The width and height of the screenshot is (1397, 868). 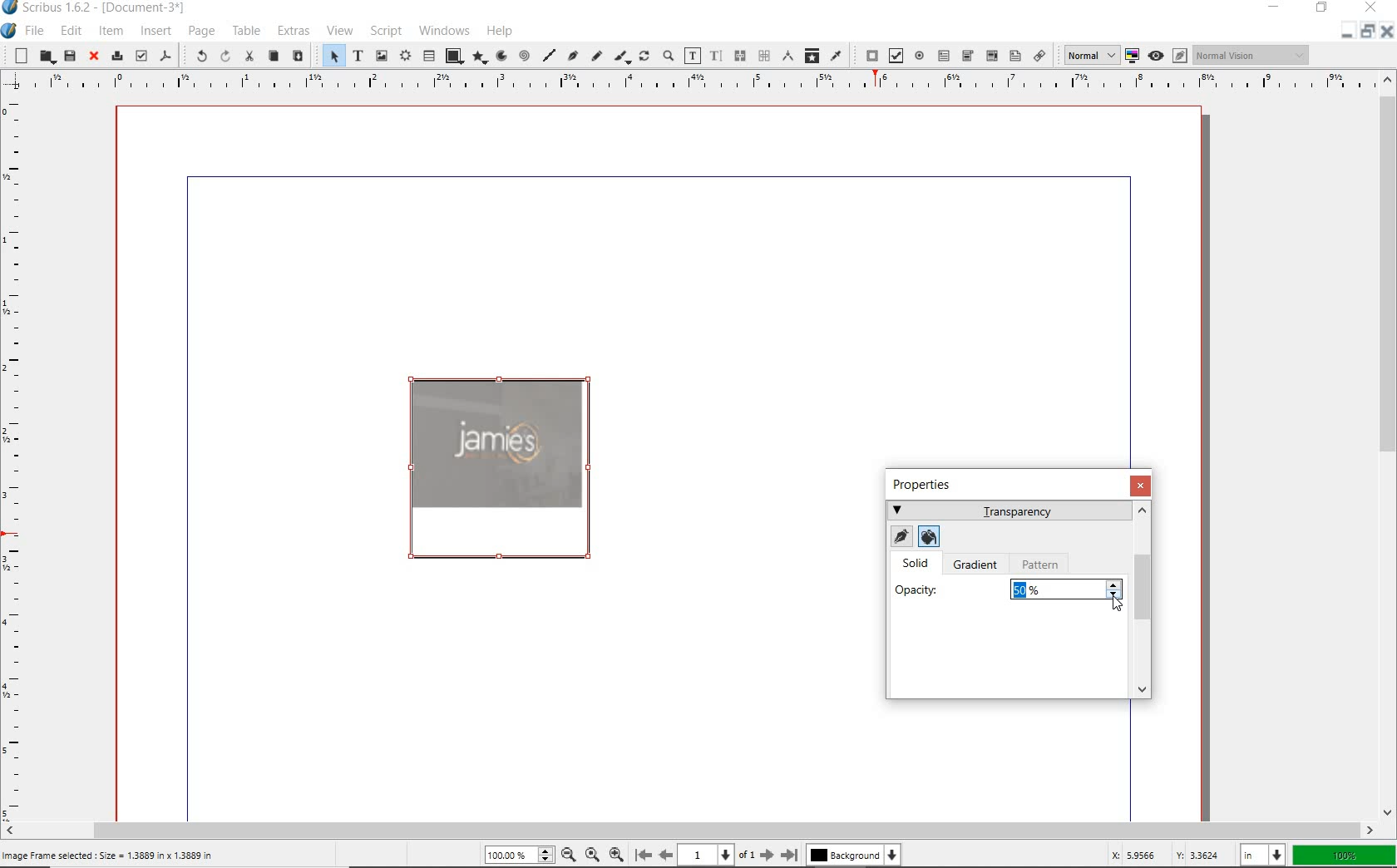 I want to click on Scribus 1.6.2, so click(x=97, y=8).